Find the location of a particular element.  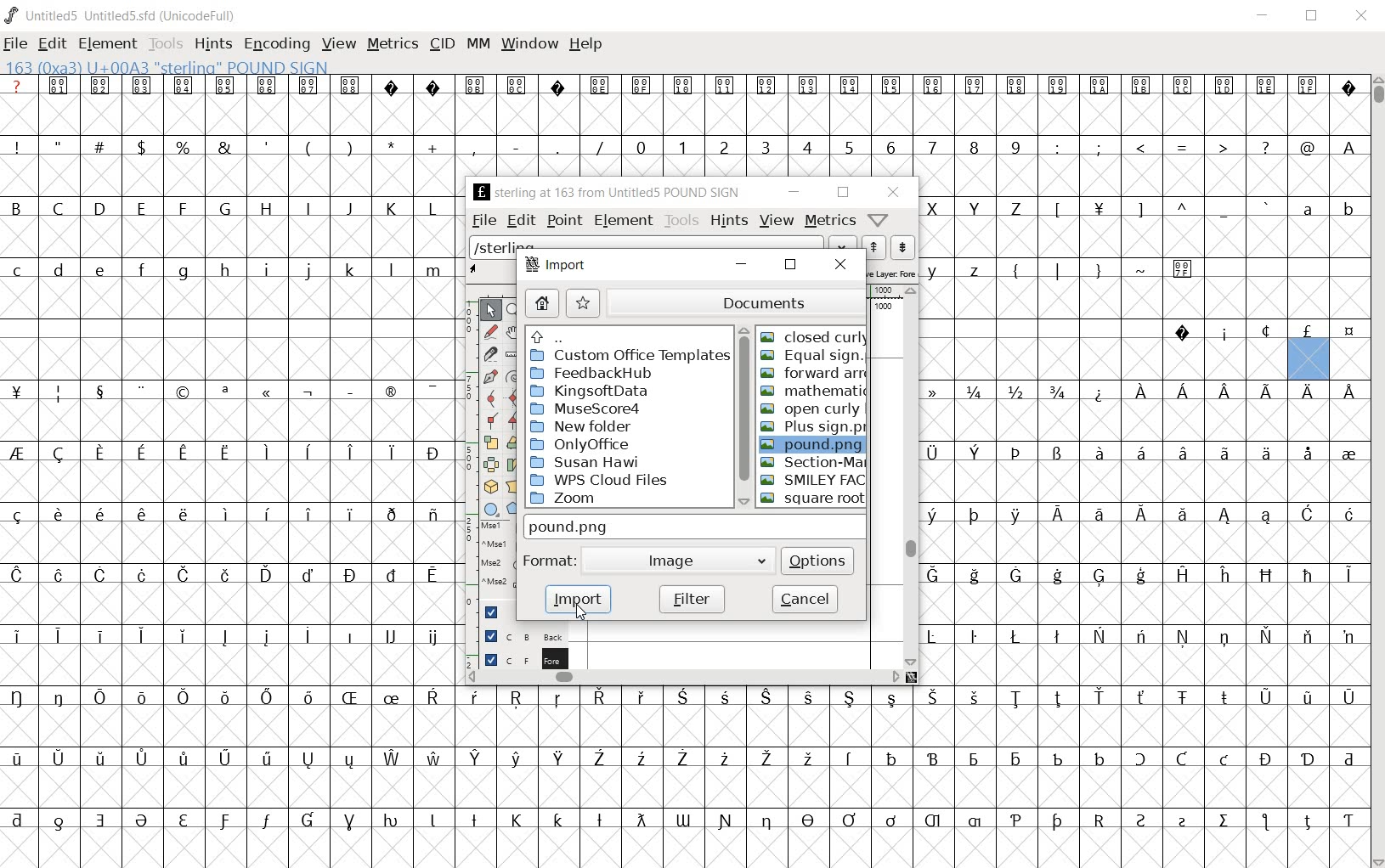

Symbol is located at coordinates (1100, 696).